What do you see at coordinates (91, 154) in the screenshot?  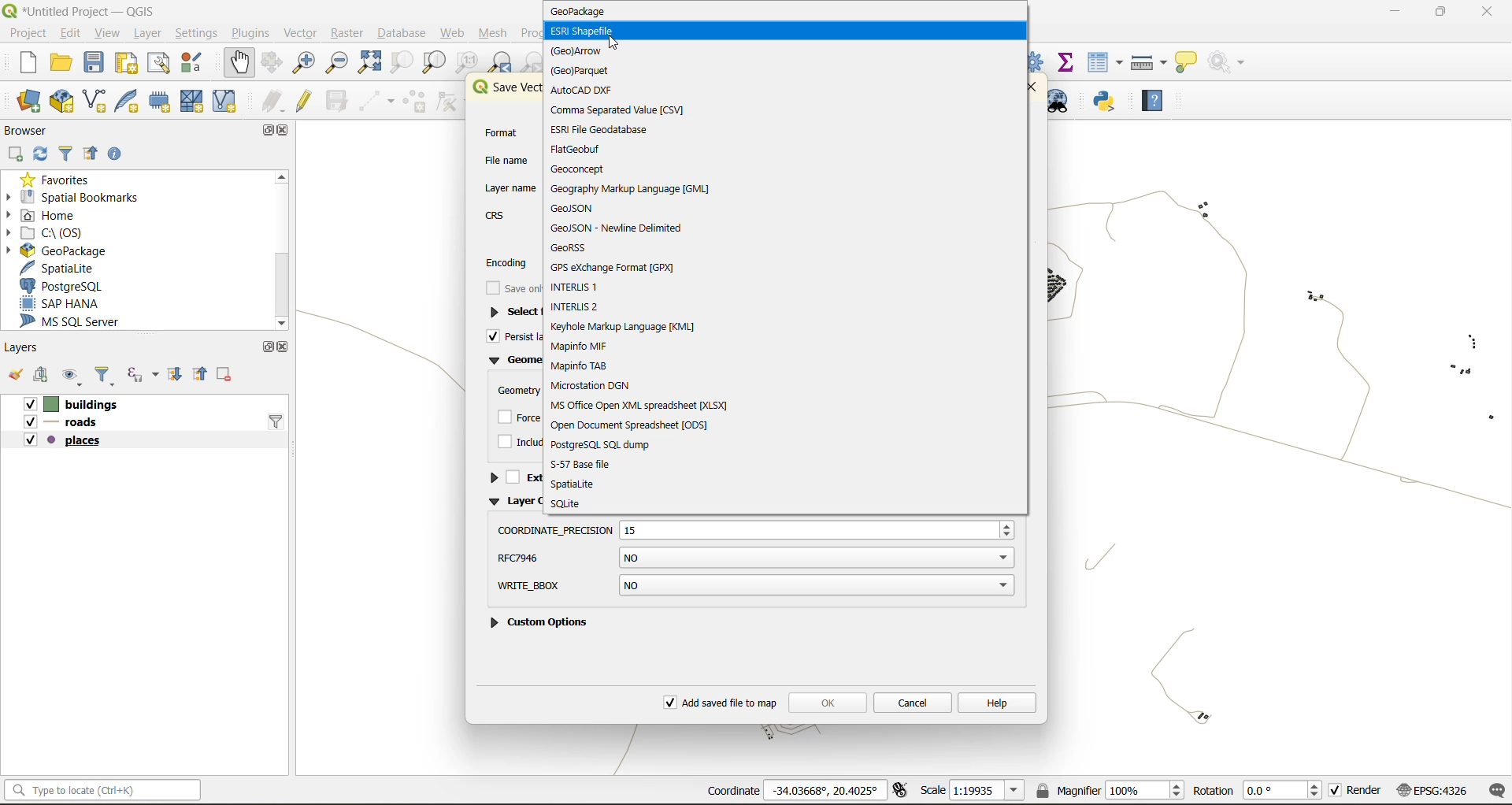 I see `collapse all` at bounding box center [91, 154].